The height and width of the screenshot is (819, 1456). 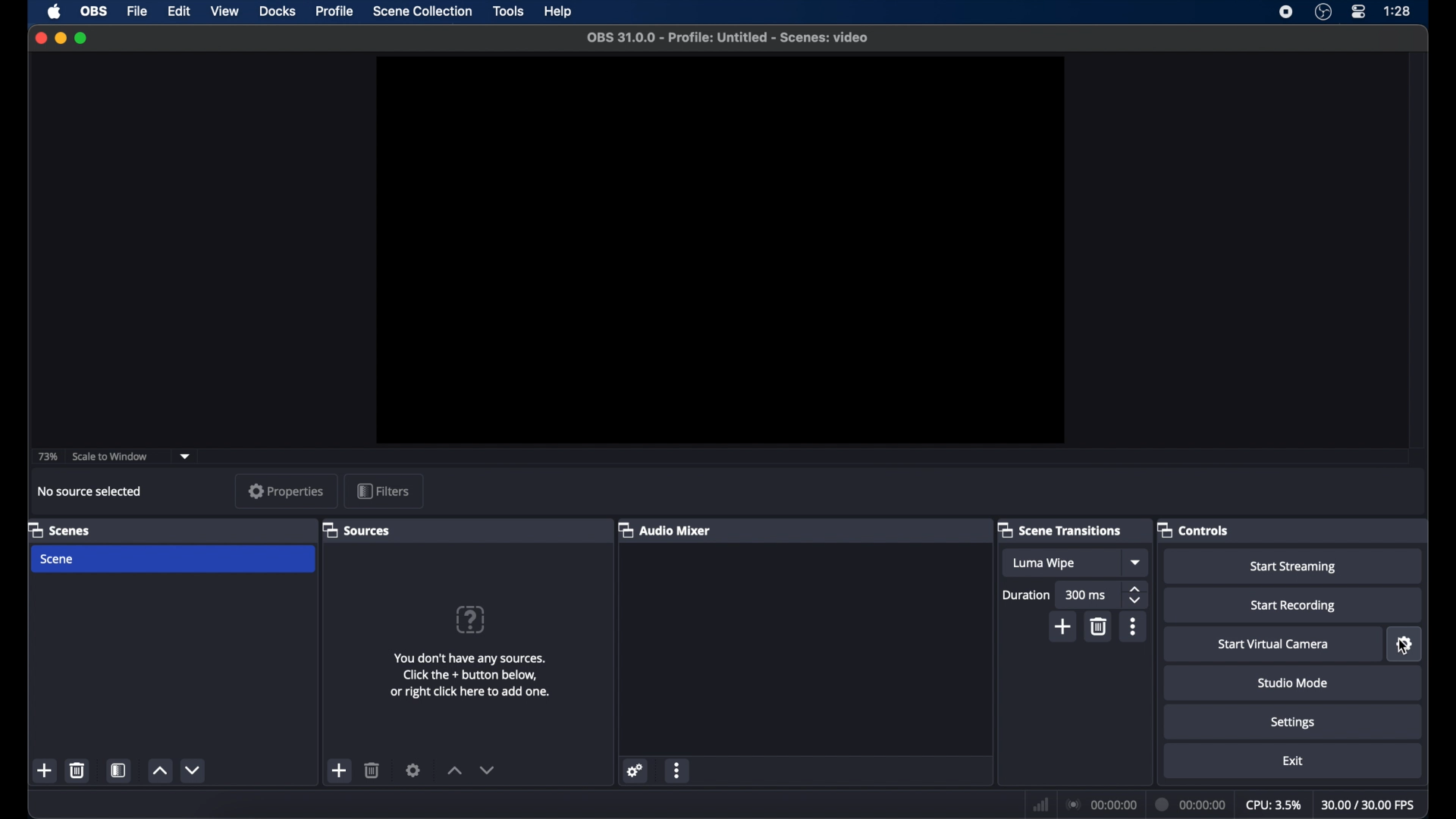 What do you see at coordinates (178, 12) in the screenshot?
I see `edit` at bounding box center [178, 12].